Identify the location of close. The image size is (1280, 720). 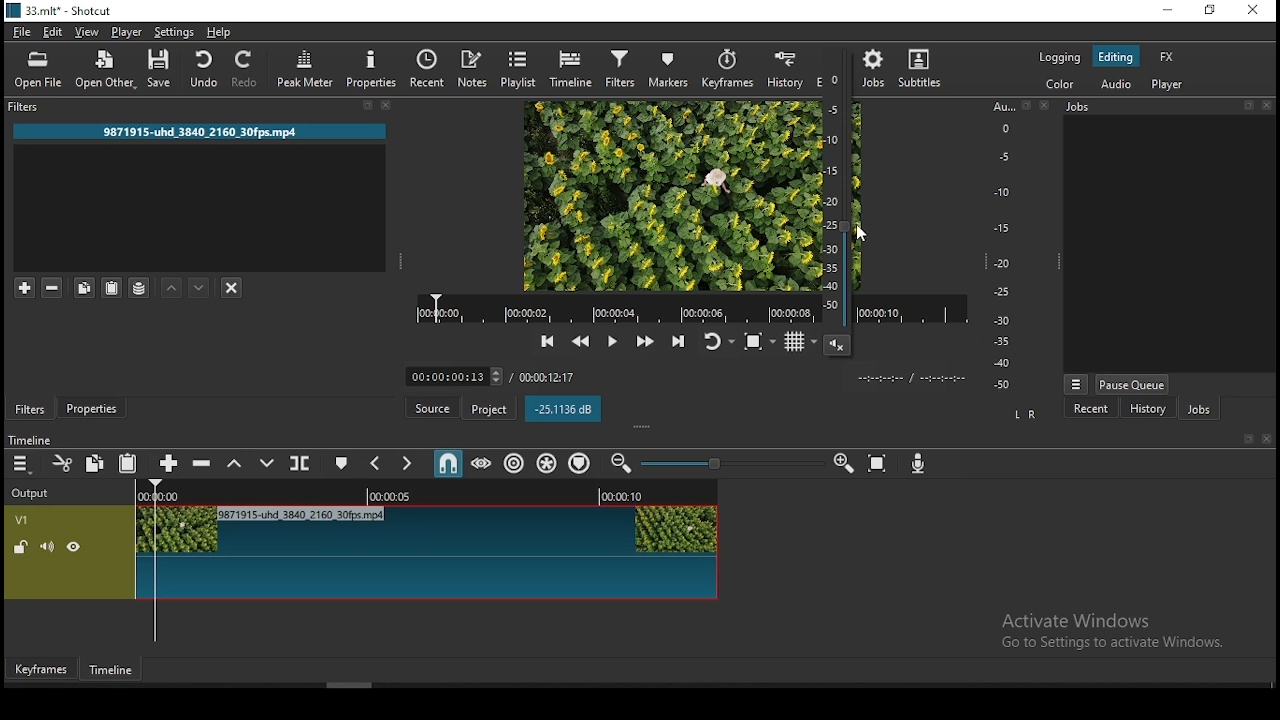
(389, 106).